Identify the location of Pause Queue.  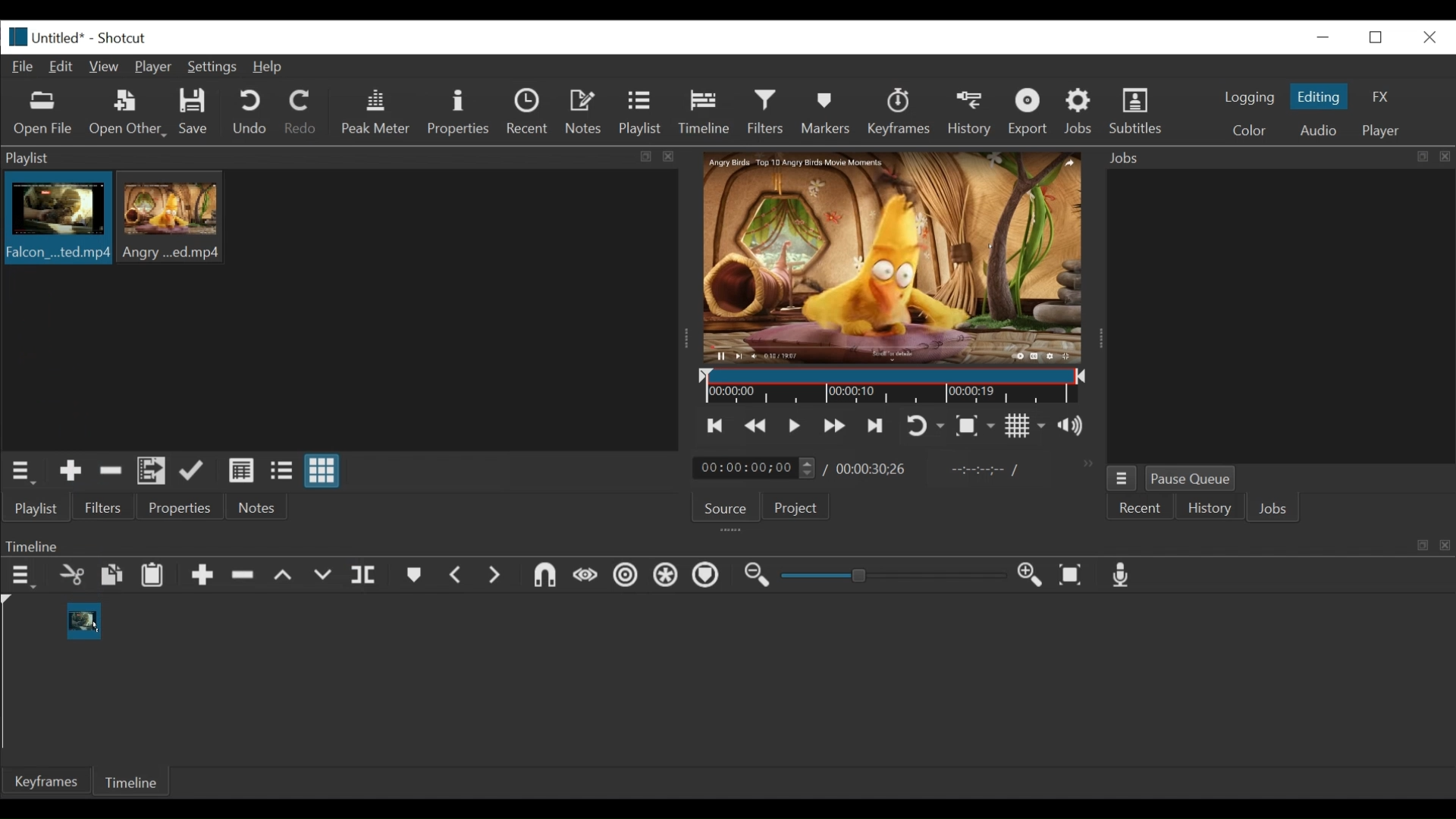
(1191, 482).